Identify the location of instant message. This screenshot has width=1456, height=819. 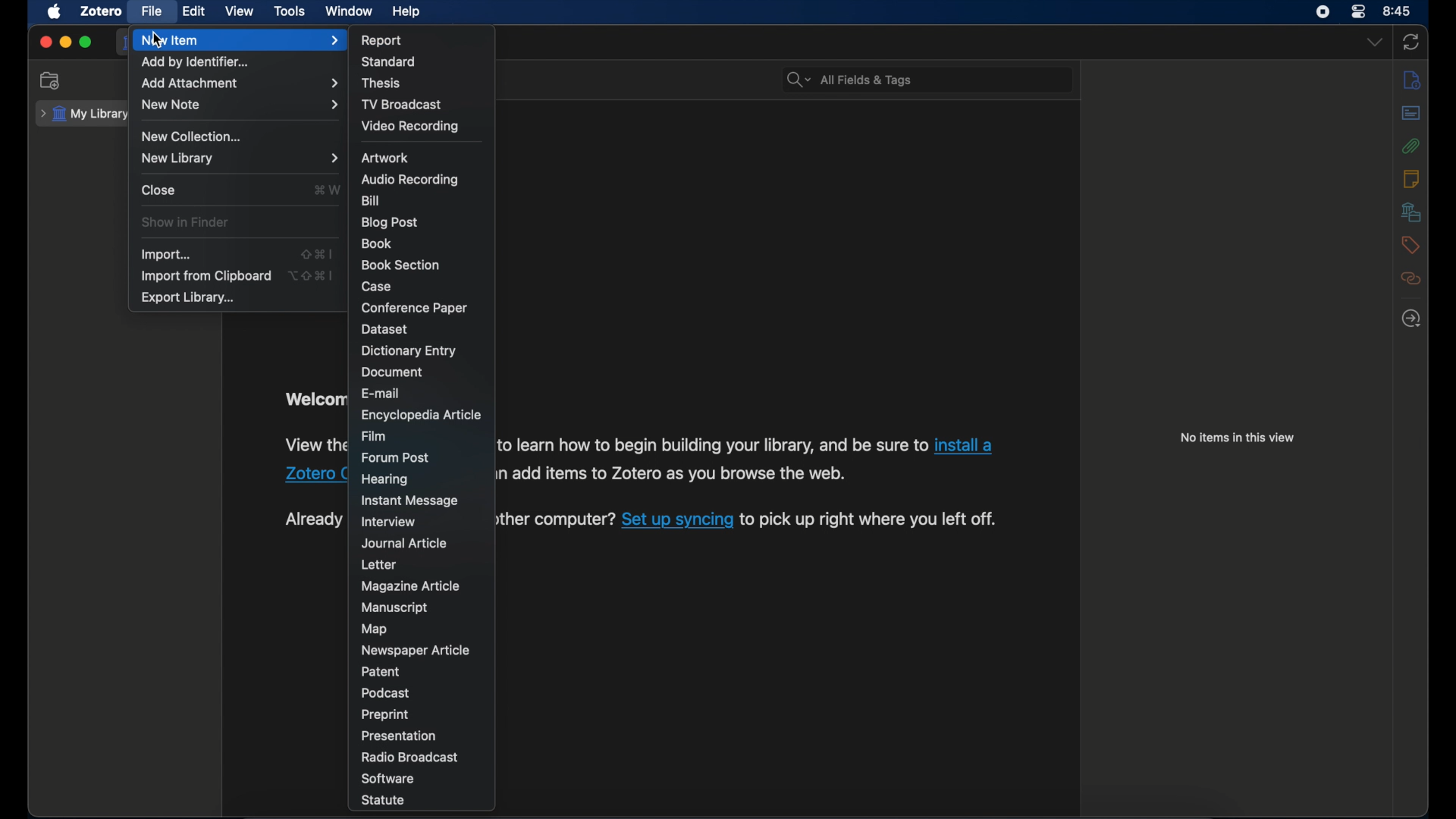
(414, 500).